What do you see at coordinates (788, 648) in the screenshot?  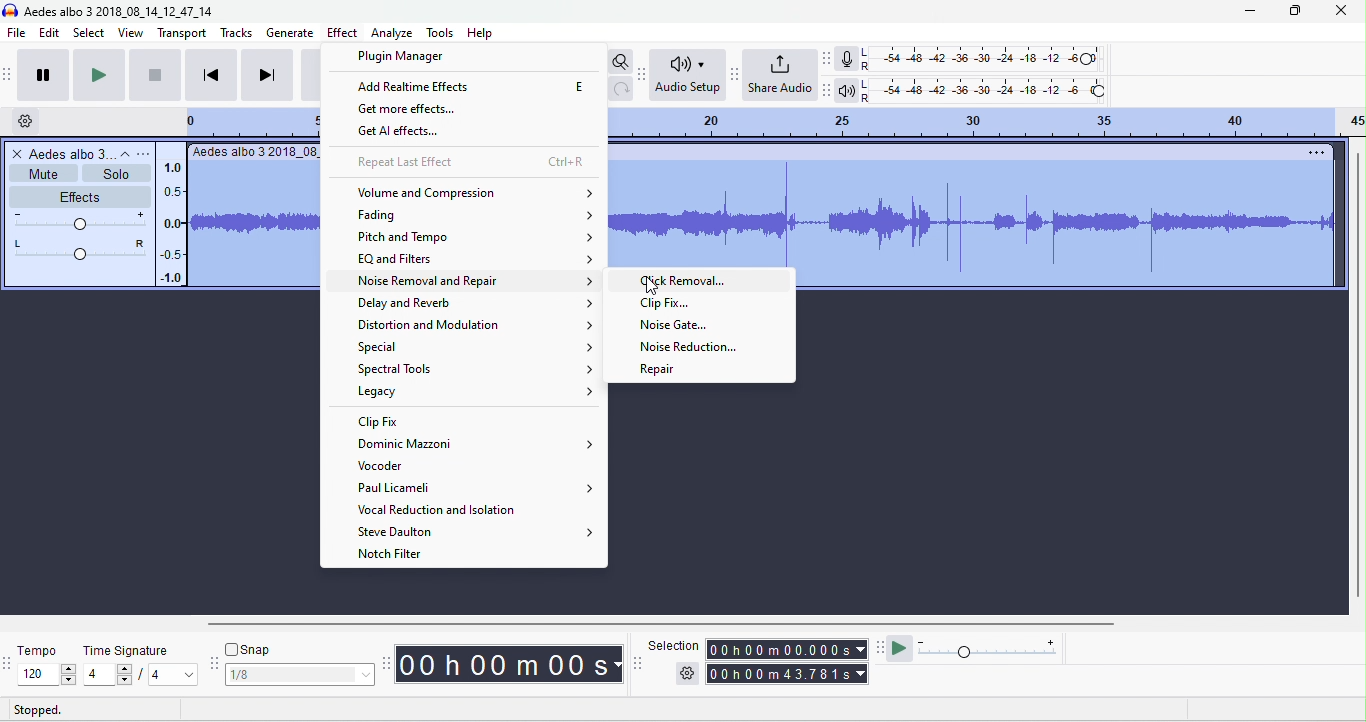 I see `selection time` at bounding box center [788, 648].